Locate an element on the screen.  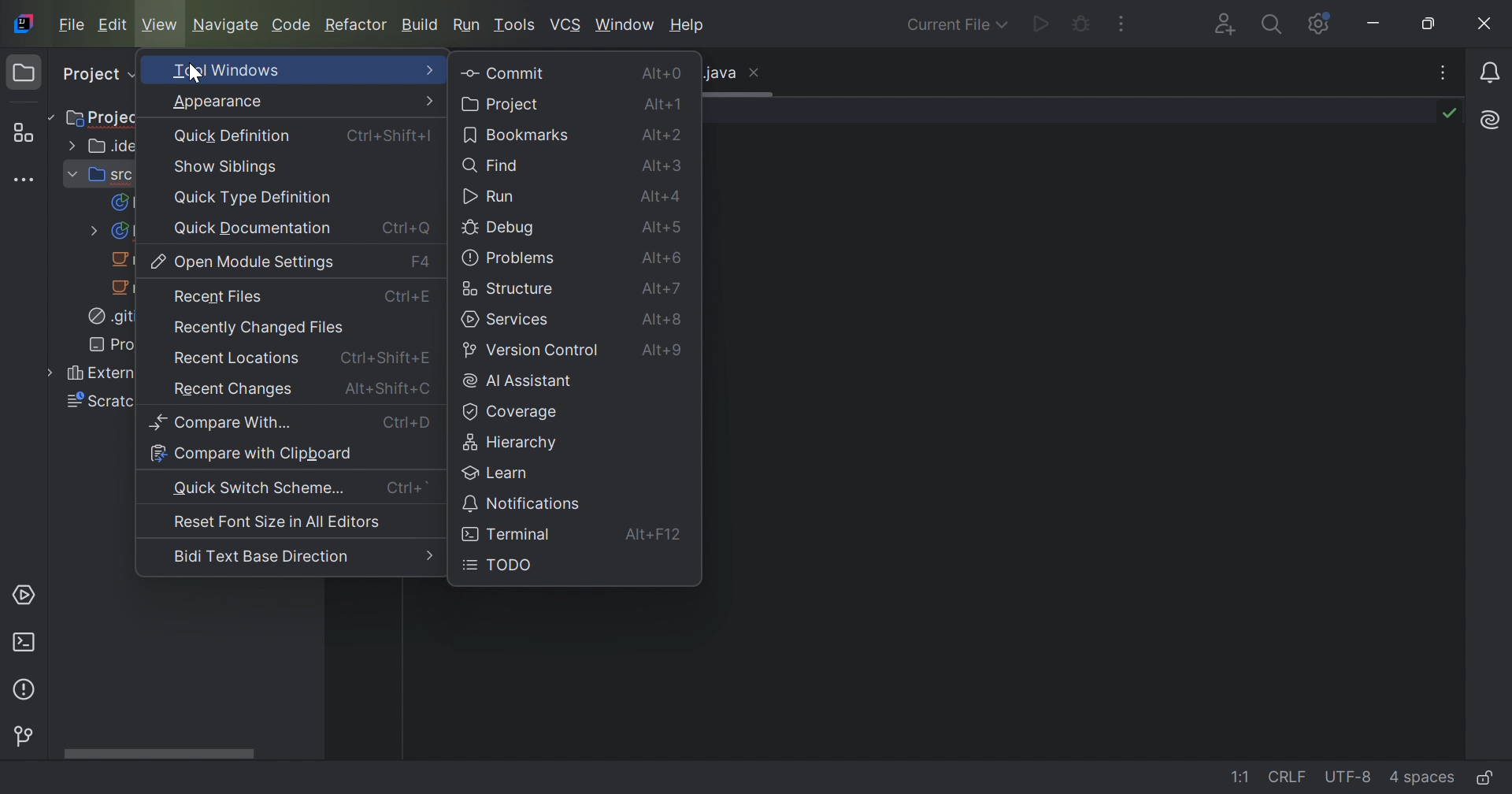
UTF-8 is located at coordinates (1351, 777).